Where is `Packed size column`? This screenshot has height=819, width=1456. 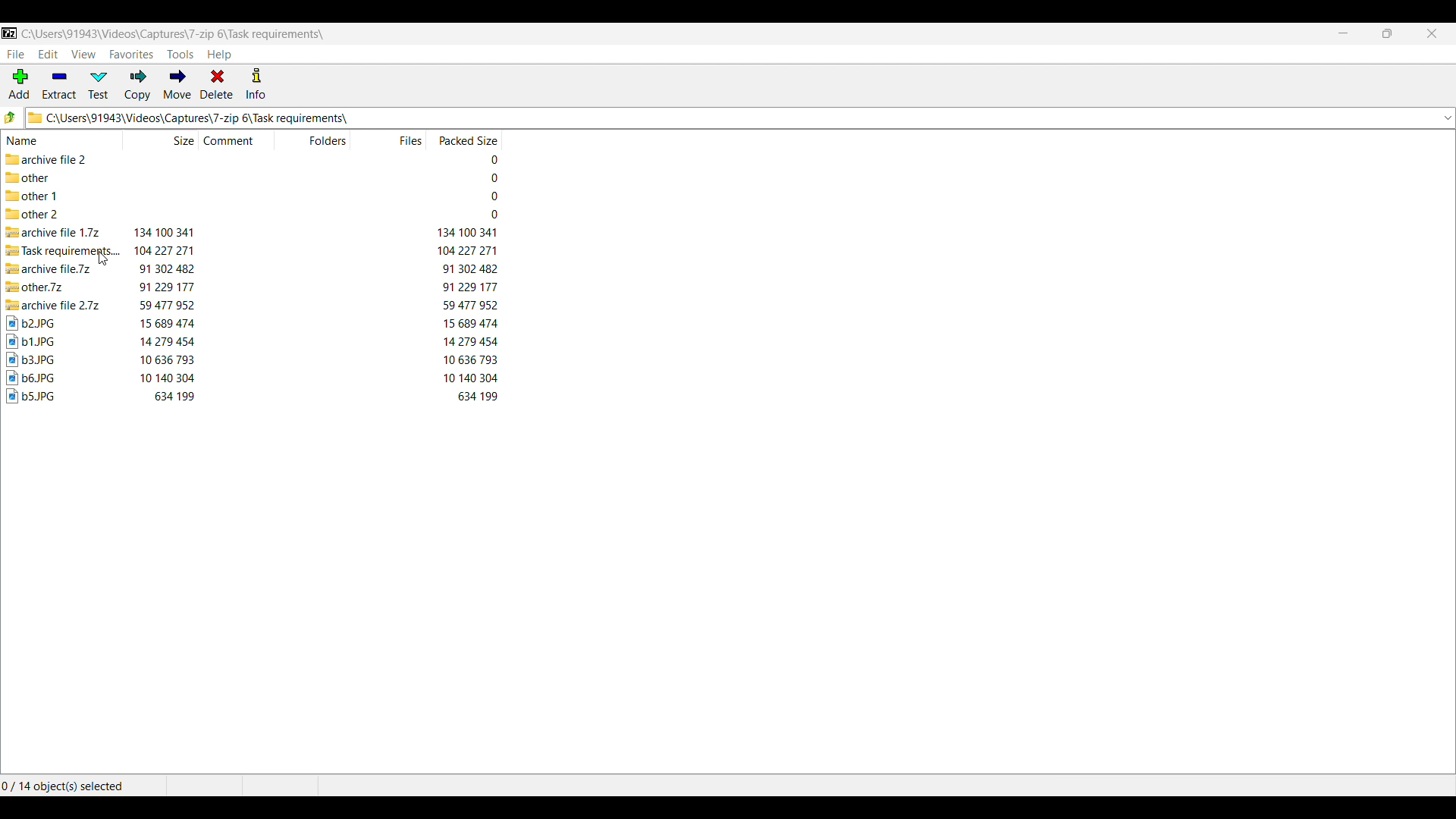 Packed size column is located at coordinates (465, 139).